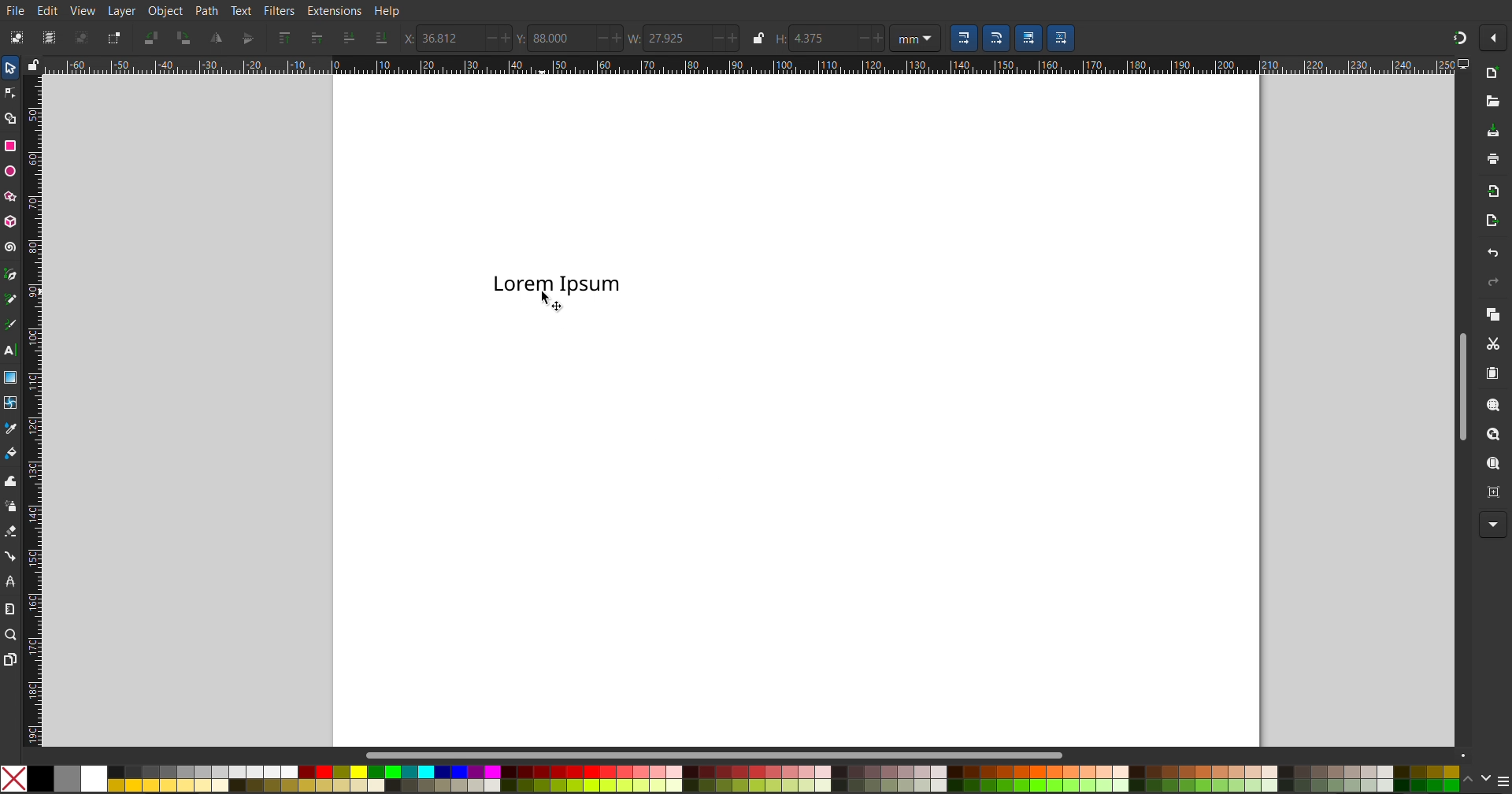  What do you see at coordinates (1492, 464) in the screenshot?
I see `Zoom Page` at bounding box center [1492, 464].